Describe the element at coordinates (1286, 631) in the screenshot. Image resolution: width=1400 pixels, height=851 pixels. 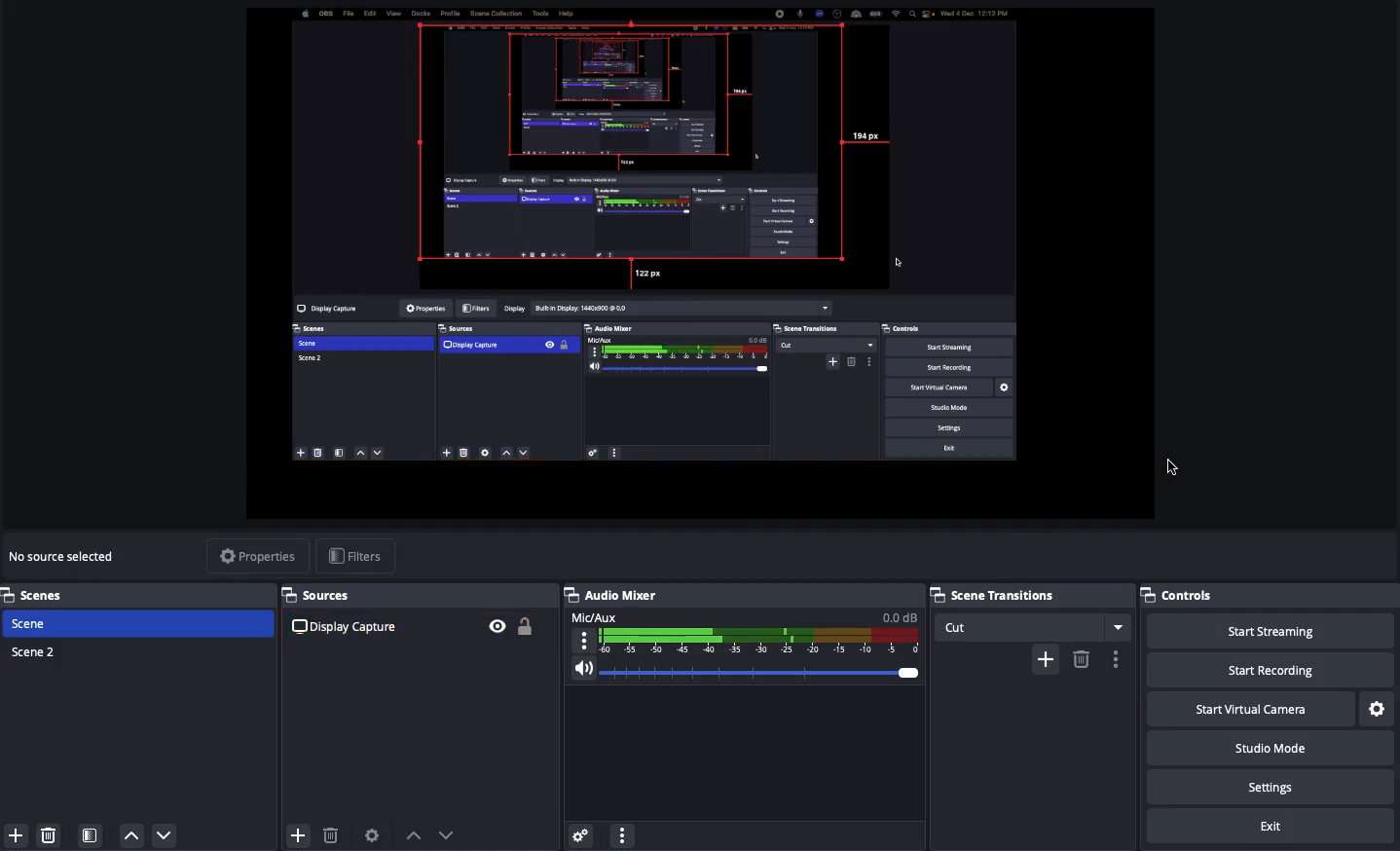
I see `Start streaming` at that location.